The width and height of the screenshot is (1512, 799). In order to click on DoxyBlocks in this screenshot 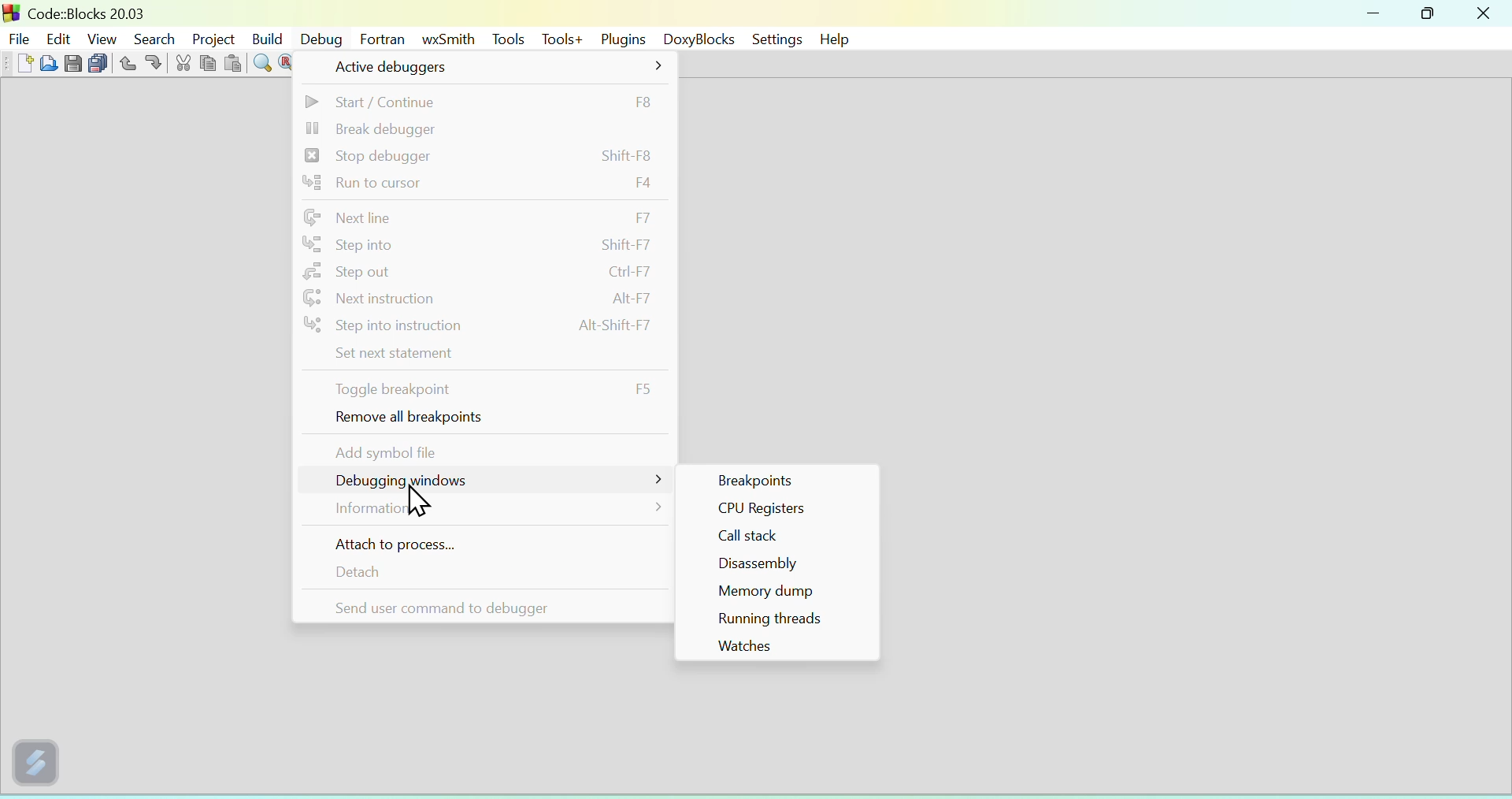, I will do `click(695, 39)`.